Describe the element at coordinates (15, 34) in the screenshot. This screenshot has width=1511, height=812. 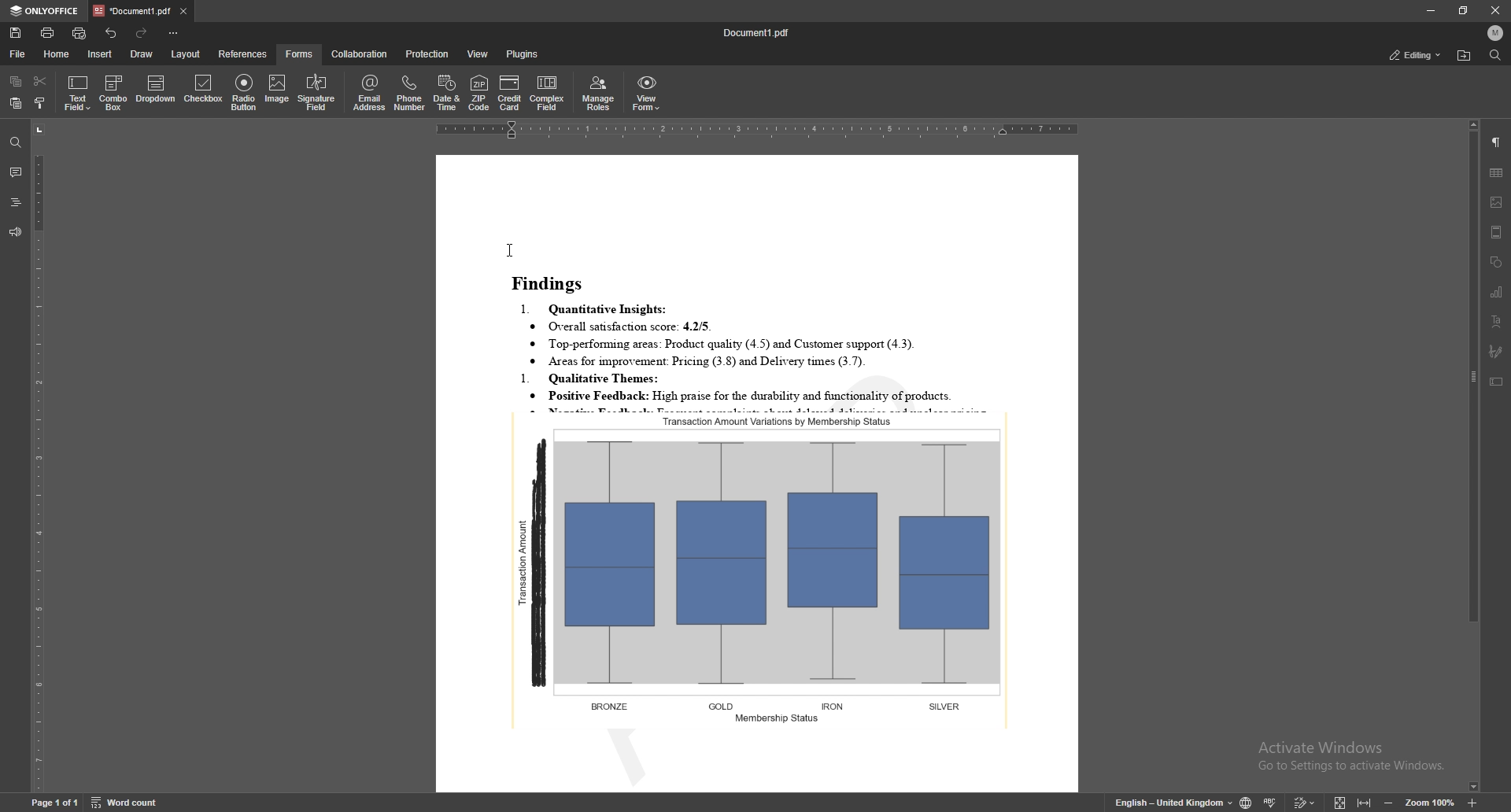
I see `save` at that location.